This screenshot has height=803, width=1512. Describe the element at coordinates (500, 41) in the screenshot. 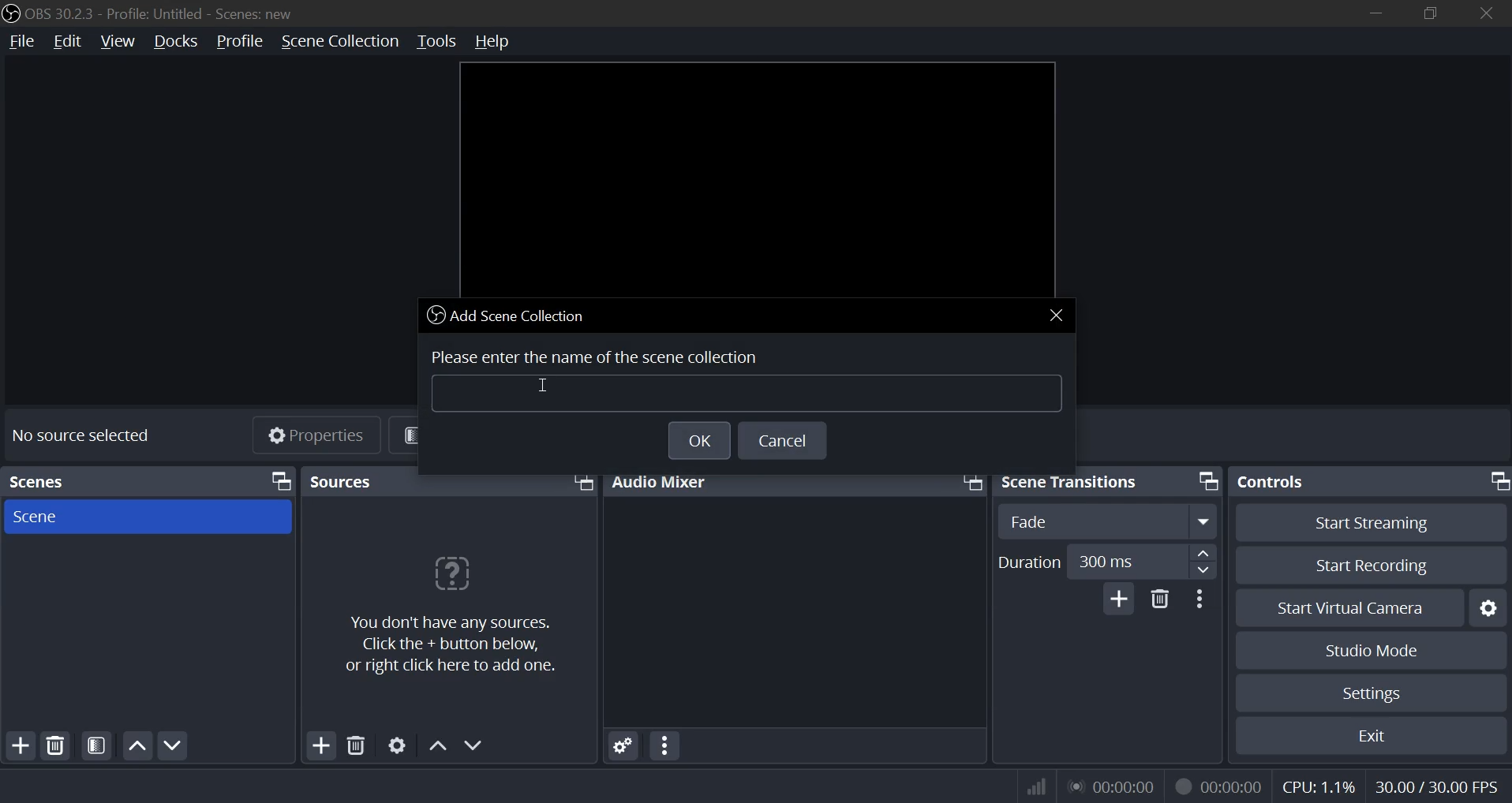

I see `help` at that location.